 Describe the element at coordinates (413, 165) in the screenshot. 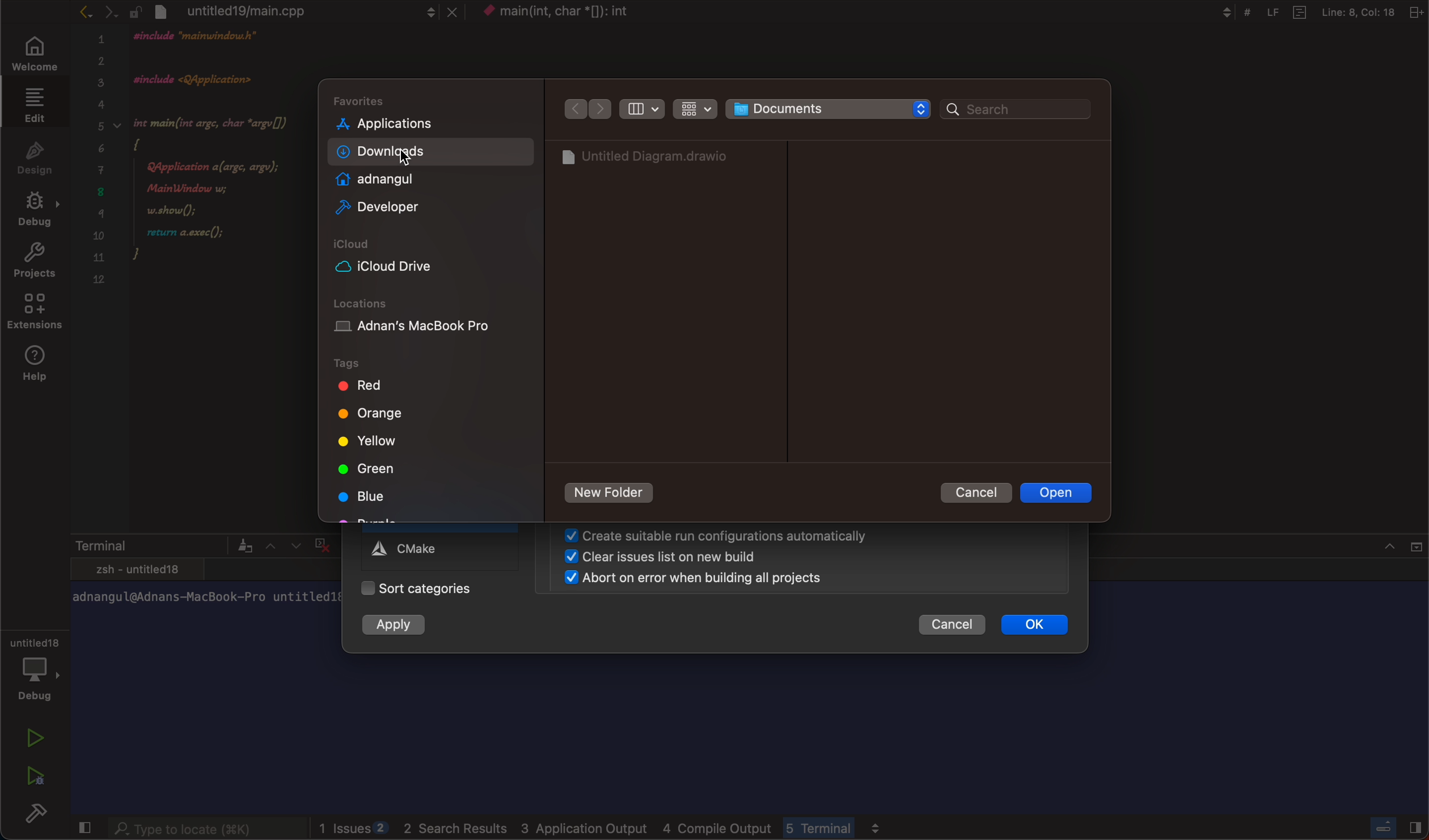

I see `cursor` at that location.